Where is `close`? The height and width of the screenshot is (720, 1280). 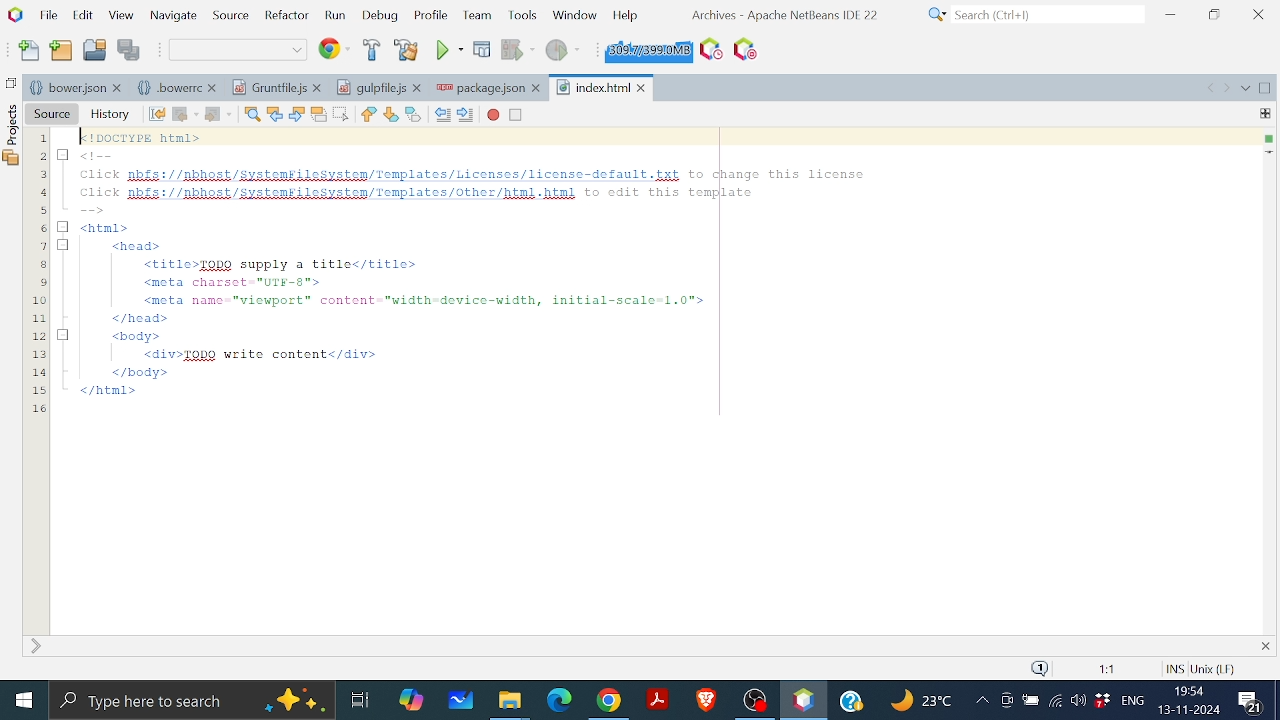 close is located at coordinates (320, 87).